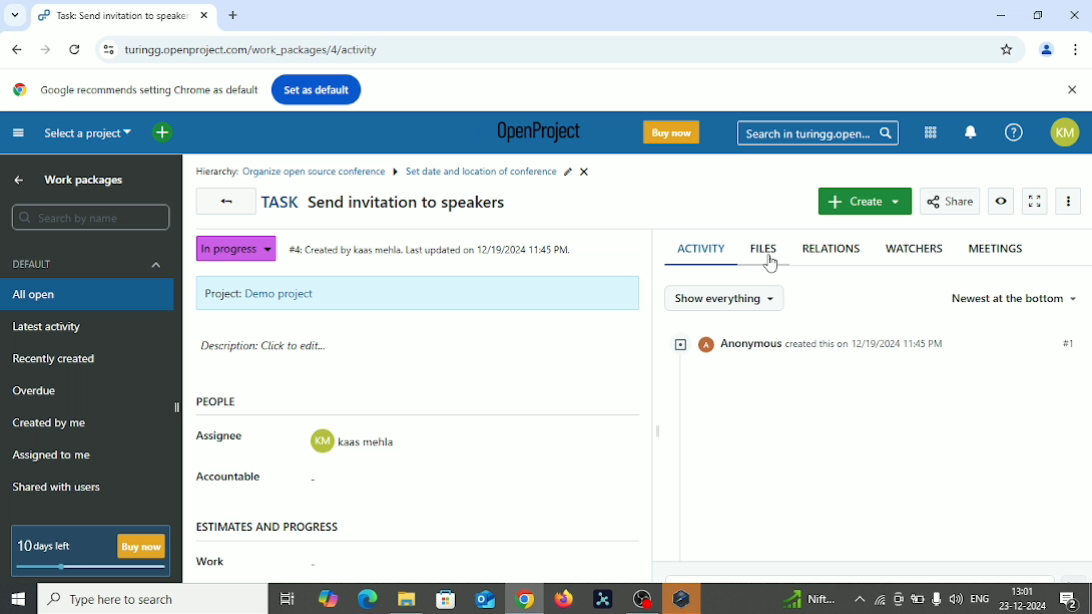  I want to click on Copilot, so click(330, 597).